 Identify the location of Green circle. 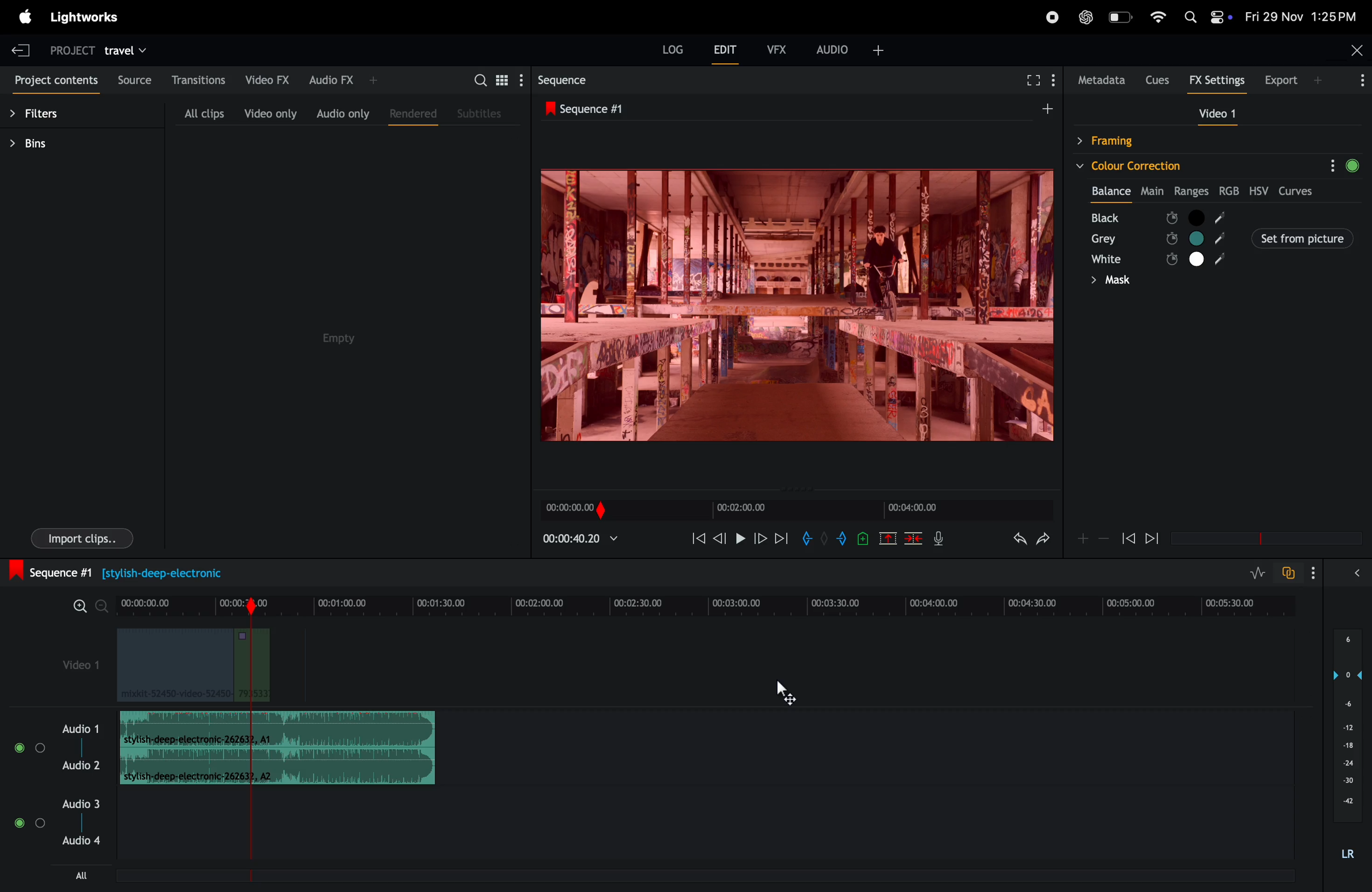
(1358, 162).